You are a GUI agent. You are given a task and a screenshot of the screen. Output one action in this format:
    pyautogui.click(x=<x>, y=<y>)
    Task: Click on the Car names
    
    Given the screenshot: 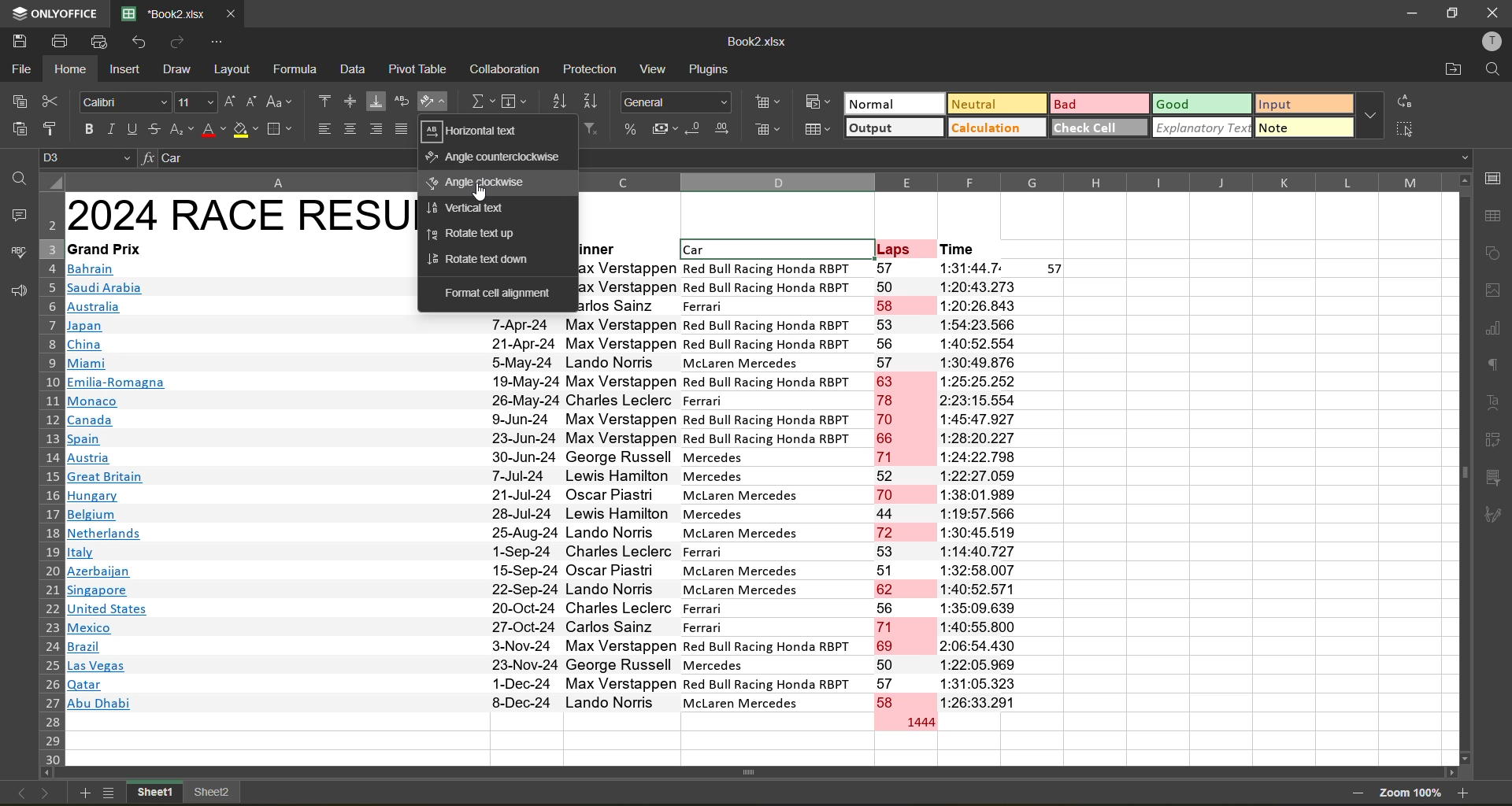 What is the action you would take?
    pyautogui.click(x=773, y=487)
    